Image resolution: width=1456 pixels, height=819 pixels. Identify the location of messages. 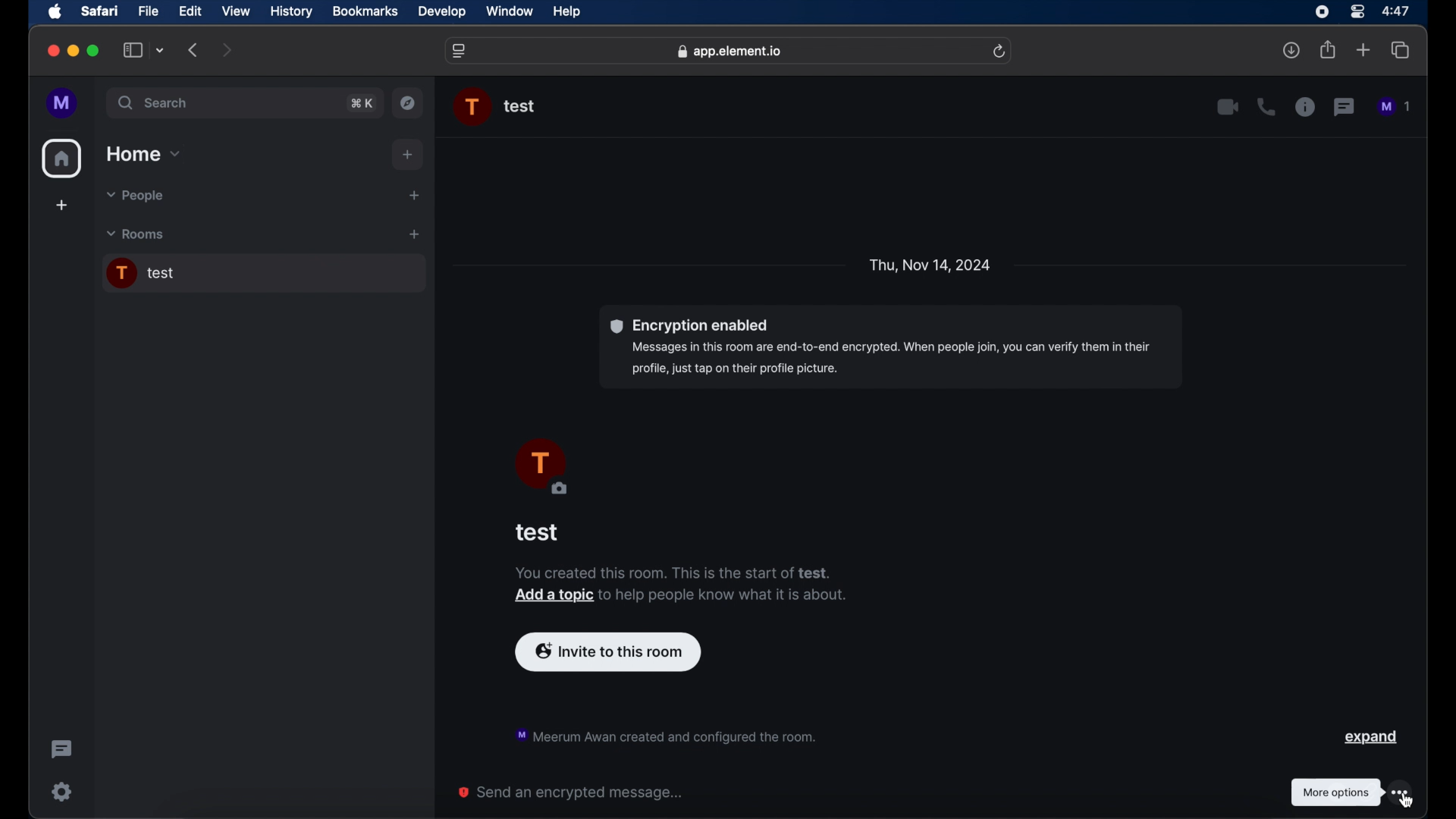
(1395, 107).